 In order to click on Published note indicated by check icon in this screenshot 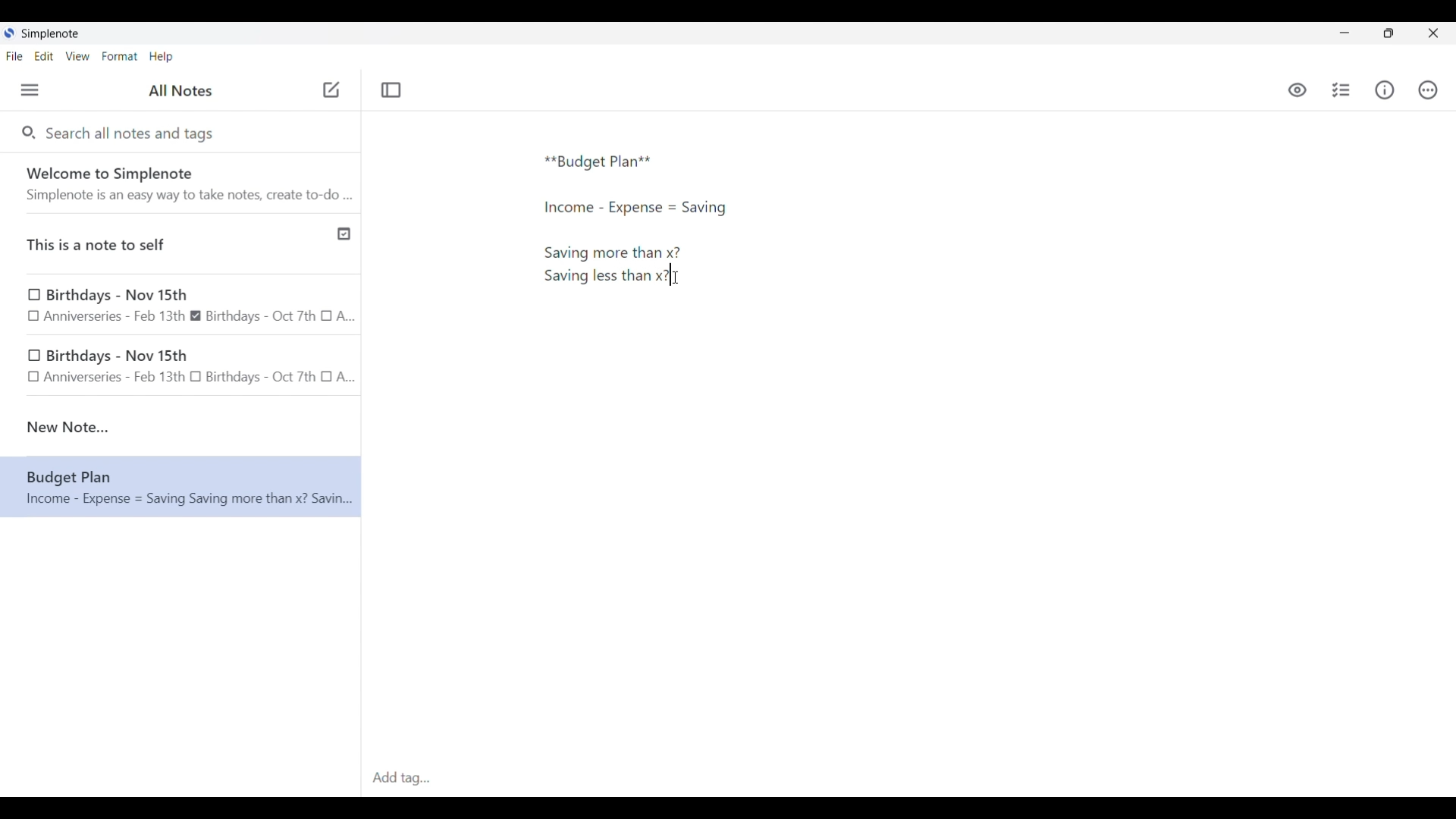, I will do `click(182, 244)`.